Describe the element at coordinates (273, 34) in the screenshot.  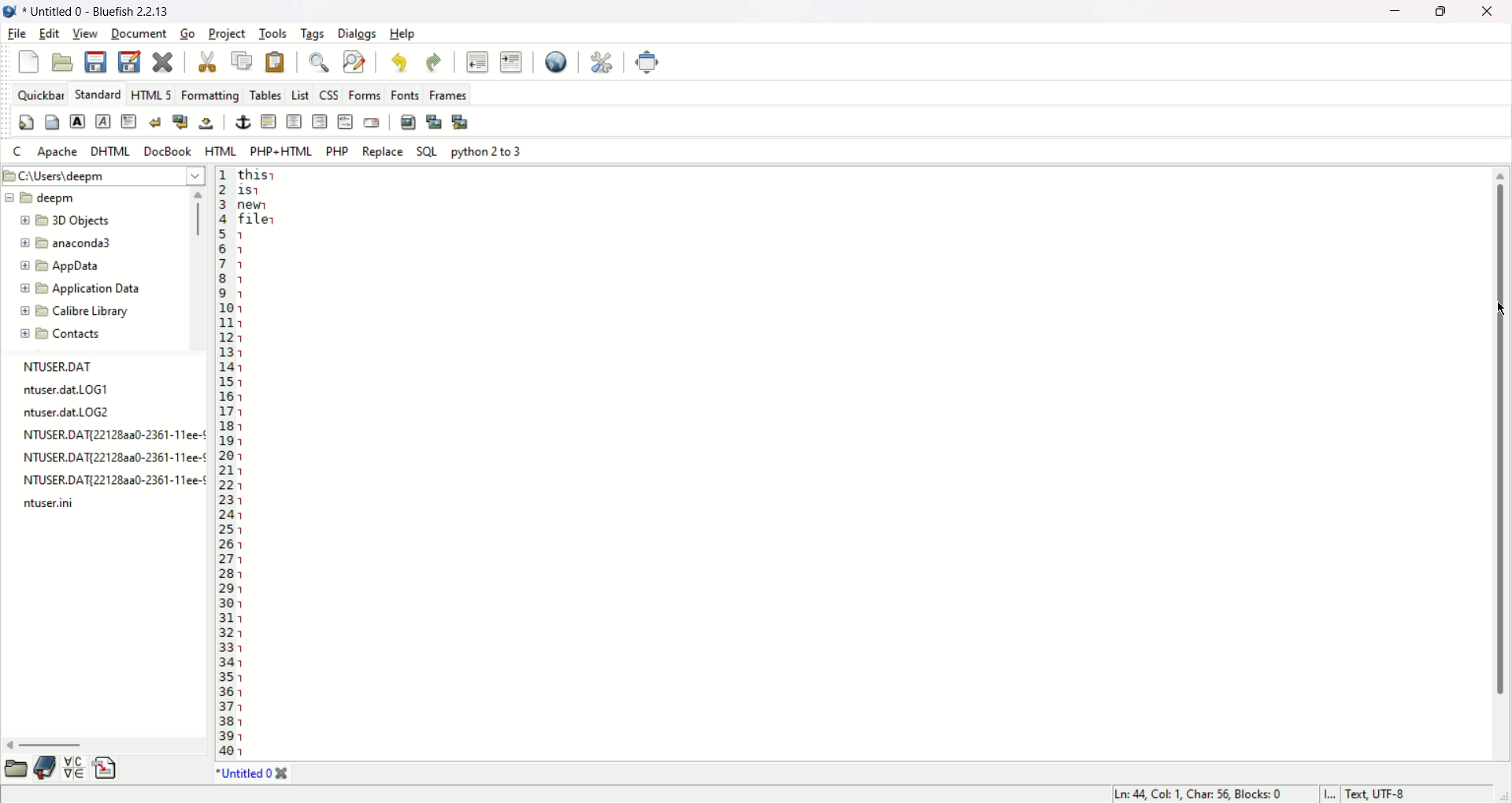
I see `tools` at that location.